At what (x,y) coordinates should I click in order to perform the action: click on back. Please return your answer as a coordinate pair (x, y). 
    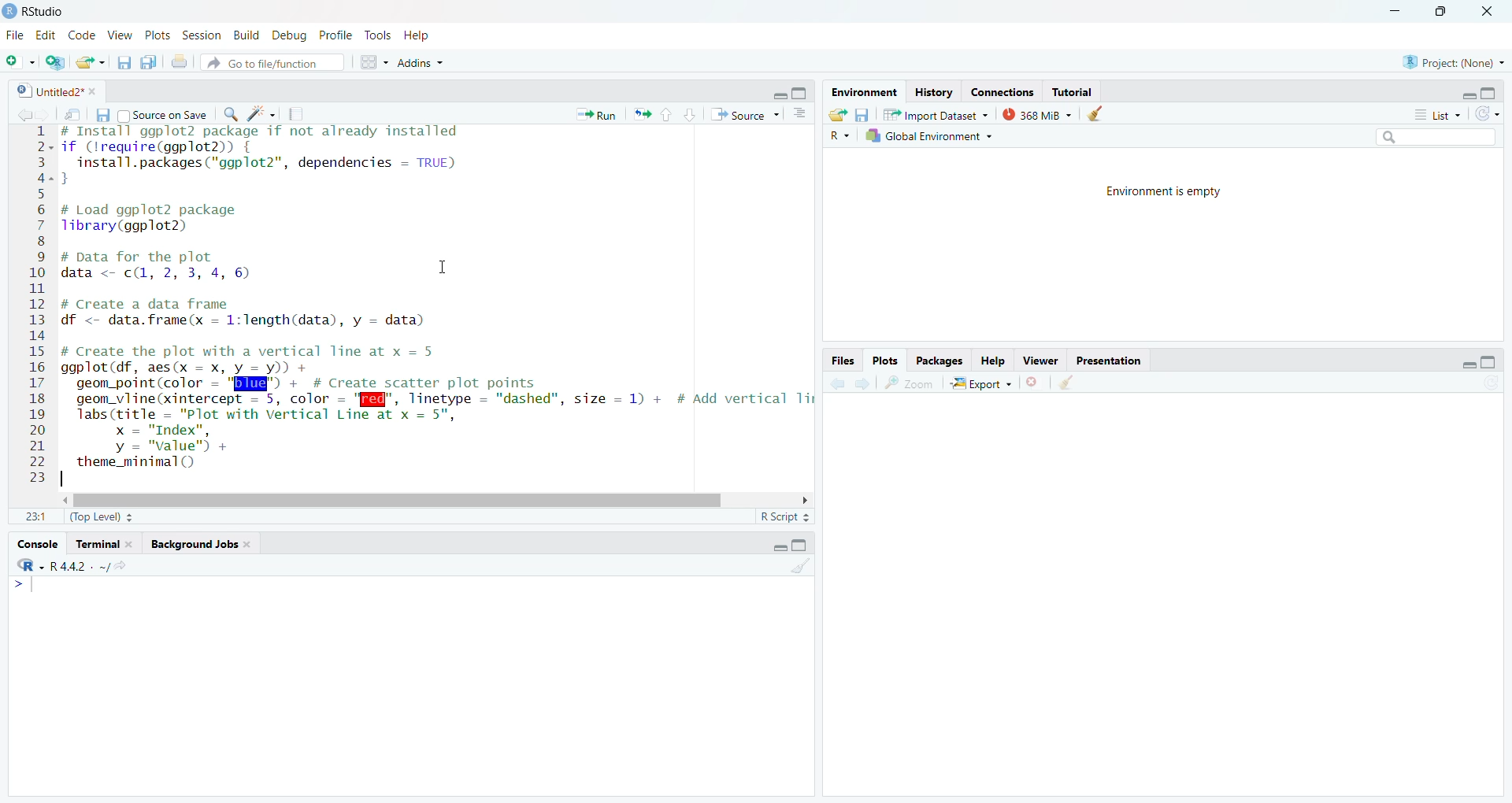
    Looking at the image, I should click on (18, 114).